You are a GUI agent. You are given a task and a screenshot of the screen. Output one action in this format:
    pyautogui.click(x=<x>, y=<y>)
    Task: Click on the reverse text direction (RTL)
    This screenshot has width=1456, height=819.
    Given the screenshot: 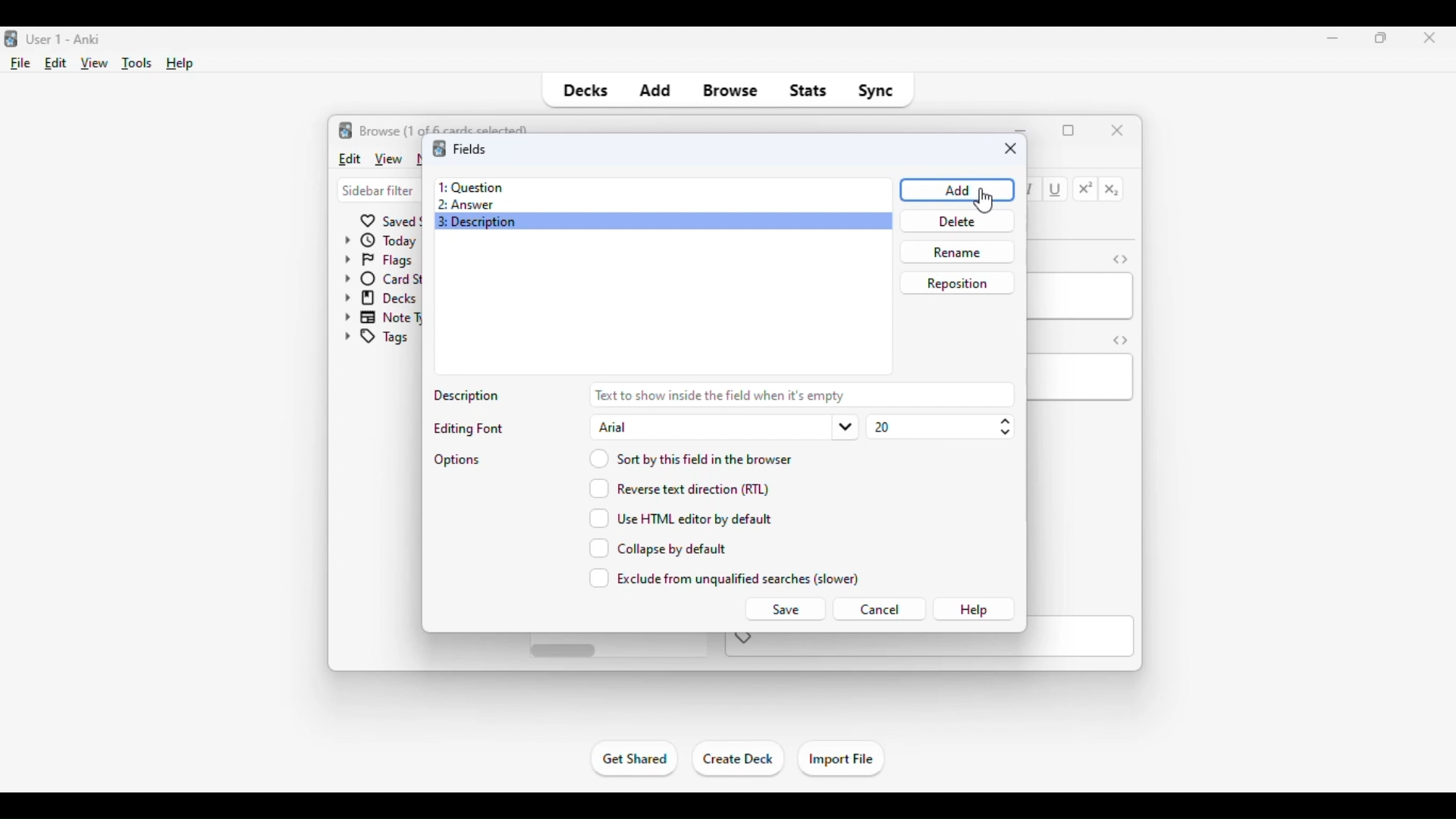 What is the action you would take?
    pyautogui.click(x=679, y=488)
    